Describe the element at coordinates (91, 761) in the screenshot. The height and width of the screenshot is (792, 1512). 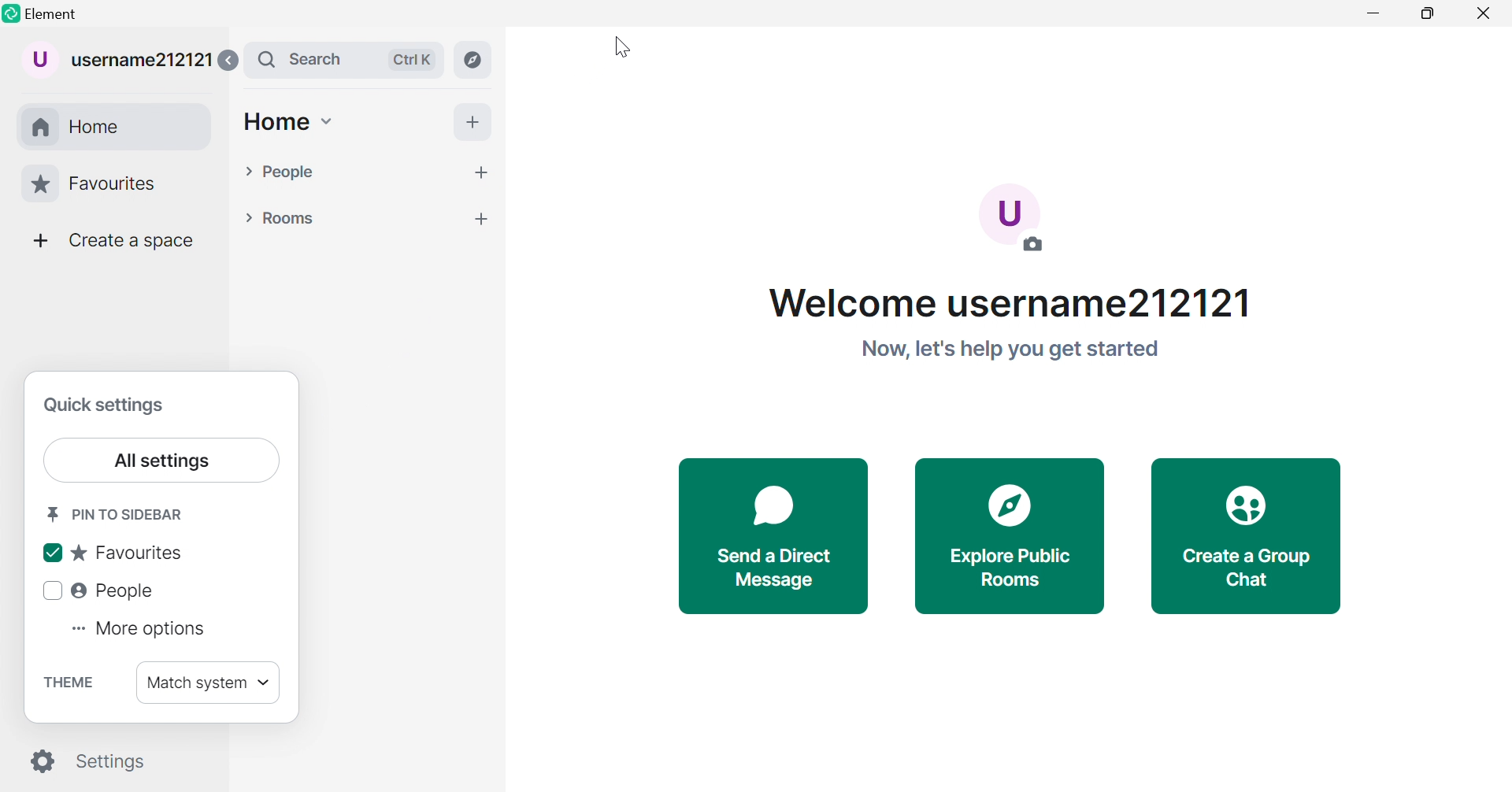
I see `Settings` at that location.